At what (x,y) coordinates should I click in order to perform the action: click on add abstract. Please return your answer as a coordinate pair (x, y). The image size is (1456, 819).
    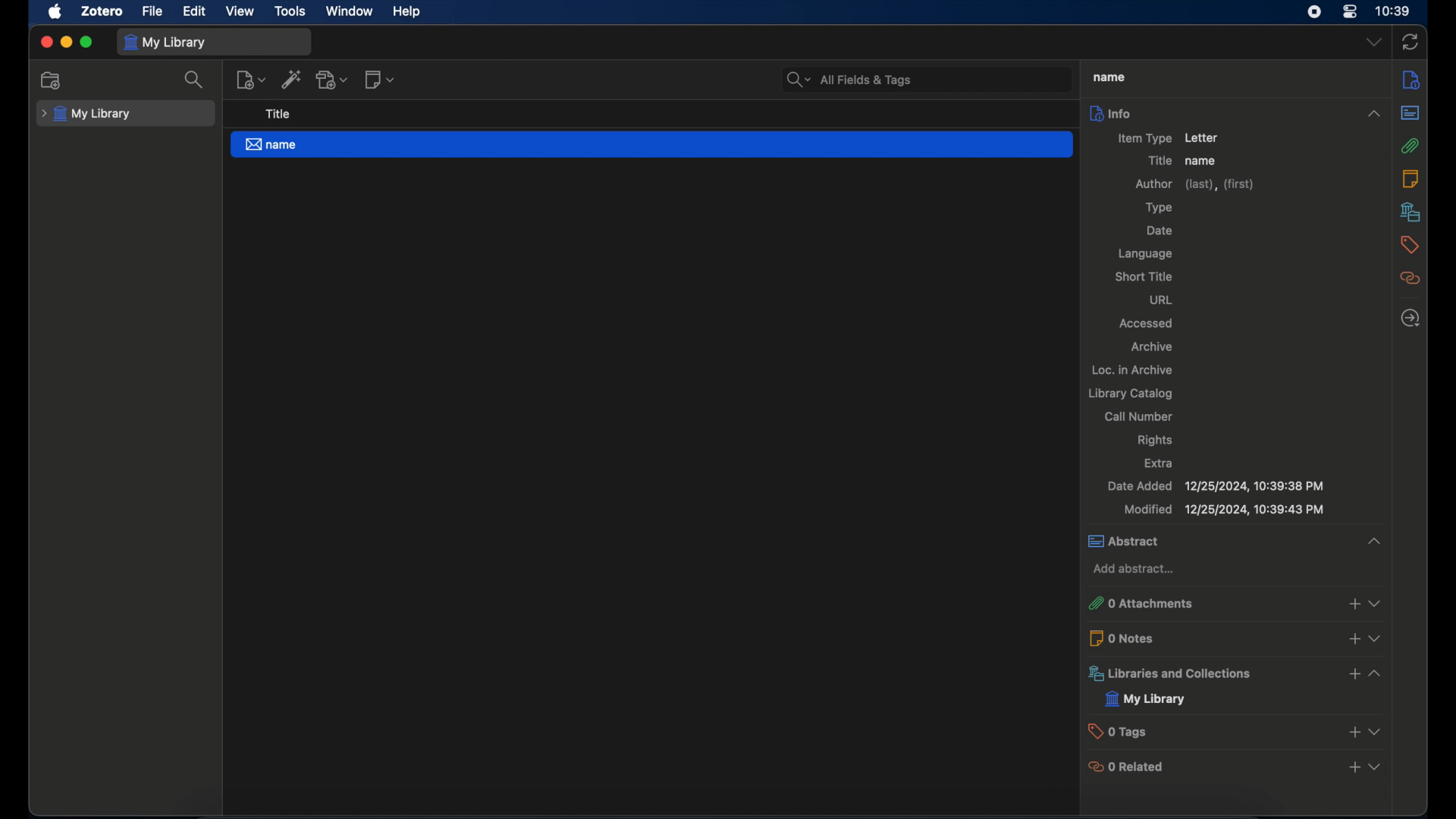
    Looking at the image, I should click on (1136, 570).